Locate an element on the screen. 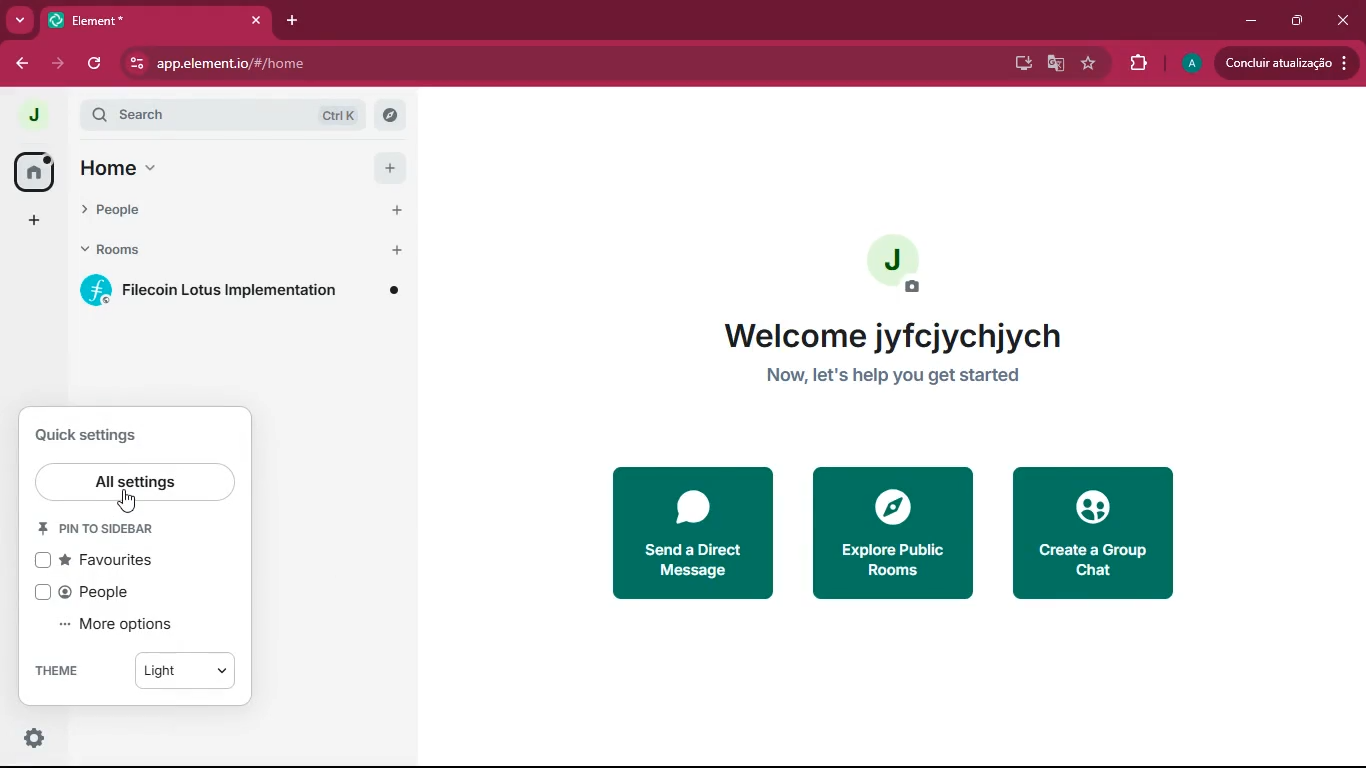 The height and width of the screenshot is (768, 1366). app.elementio/#/home is located at coordinates (365, 65).